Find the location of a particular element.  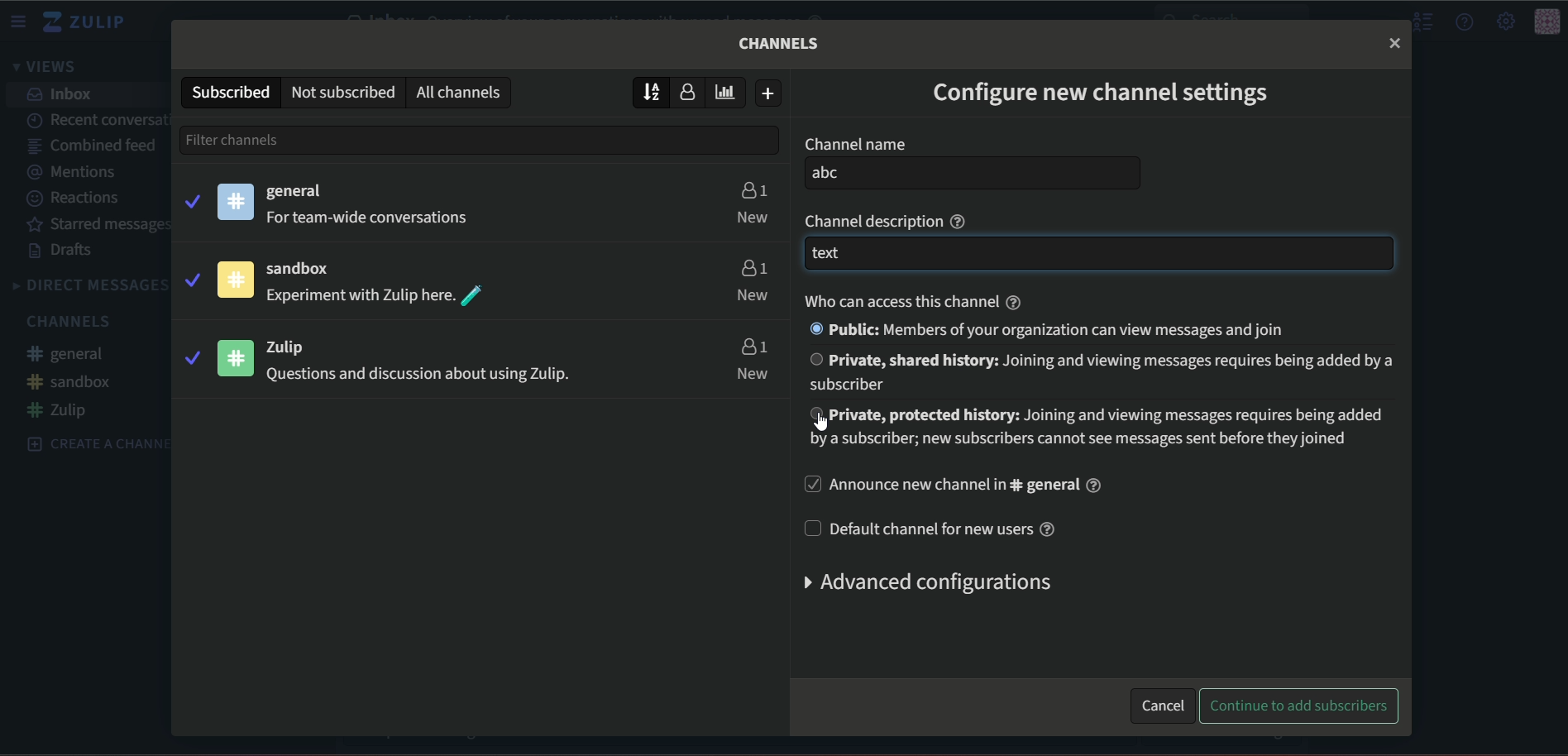

combined feed is located at coordinates (92, 147).